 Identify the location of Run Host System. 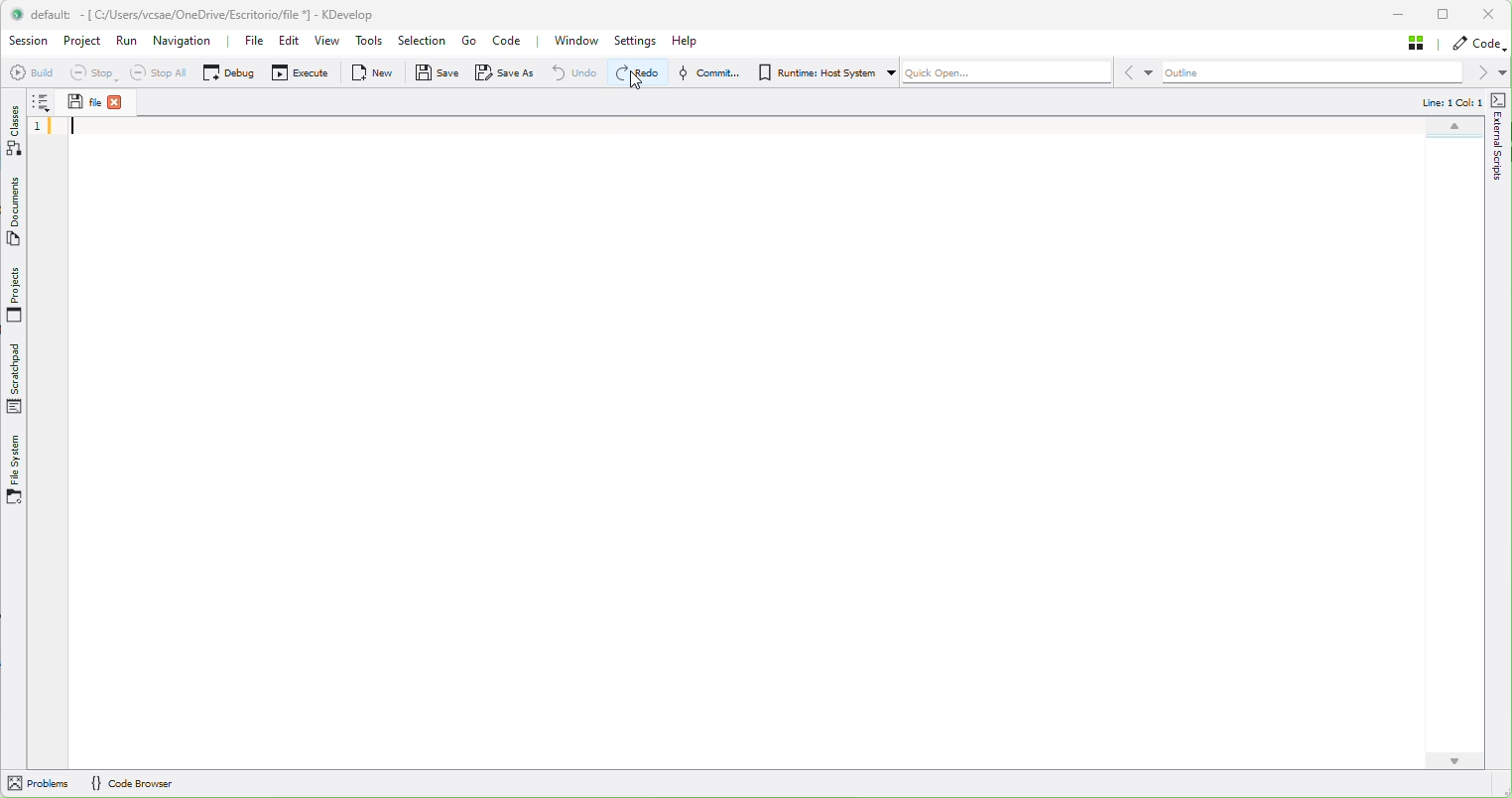
(819, 73).